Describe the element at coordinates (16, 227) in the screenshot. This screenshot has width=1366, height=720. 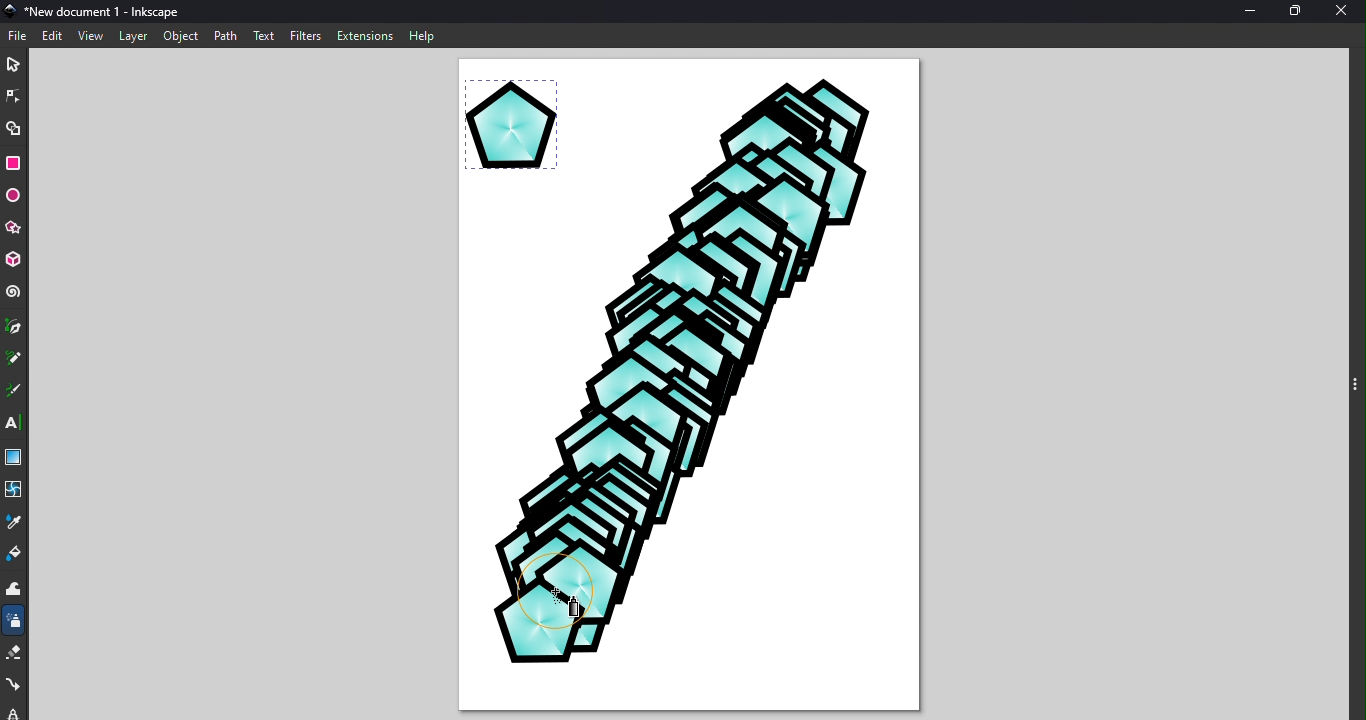
I see `Star/polygon tool` at that location.